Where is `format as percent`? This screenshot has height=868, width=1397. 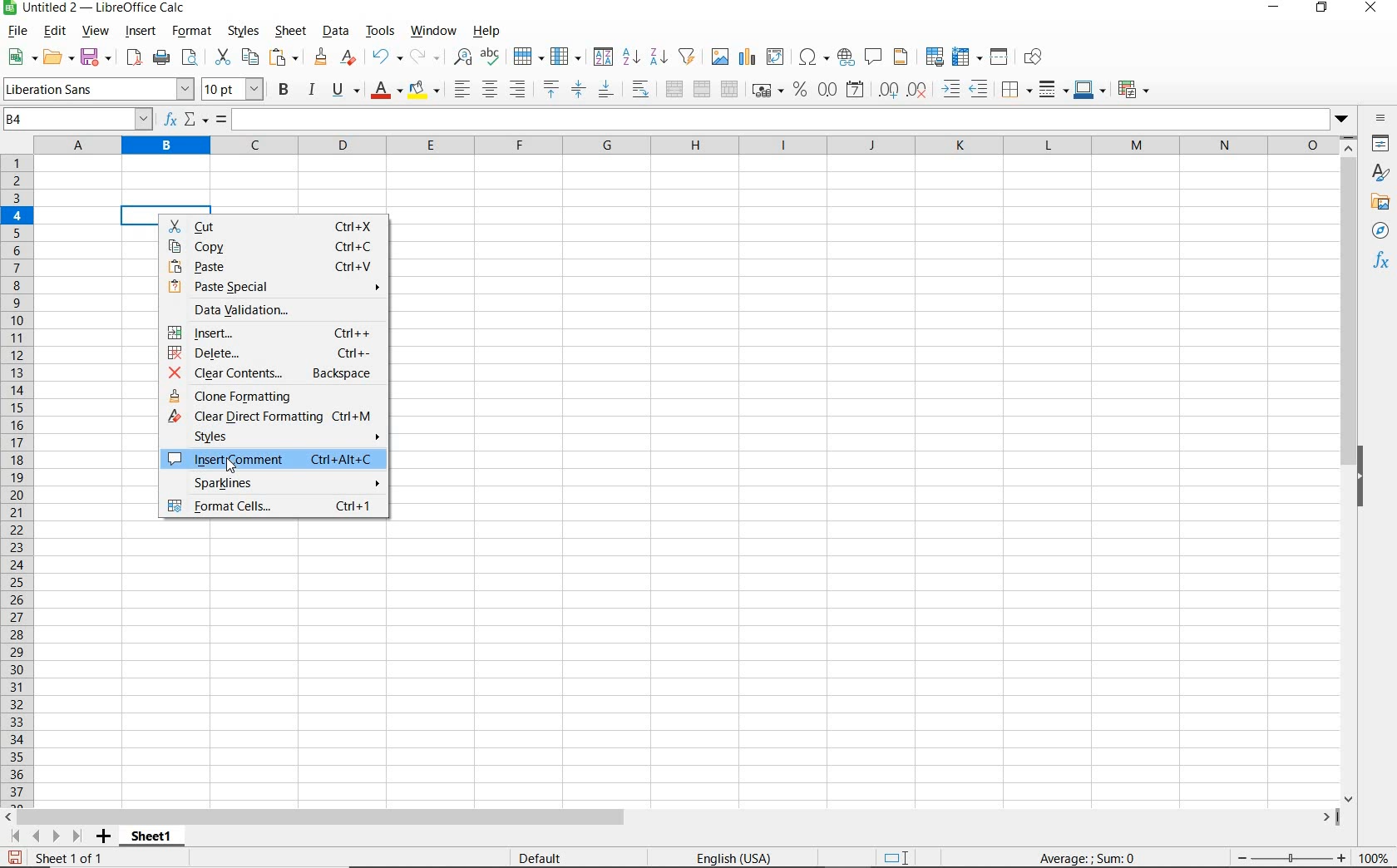
format as percent is located at coordinates (799, 91).